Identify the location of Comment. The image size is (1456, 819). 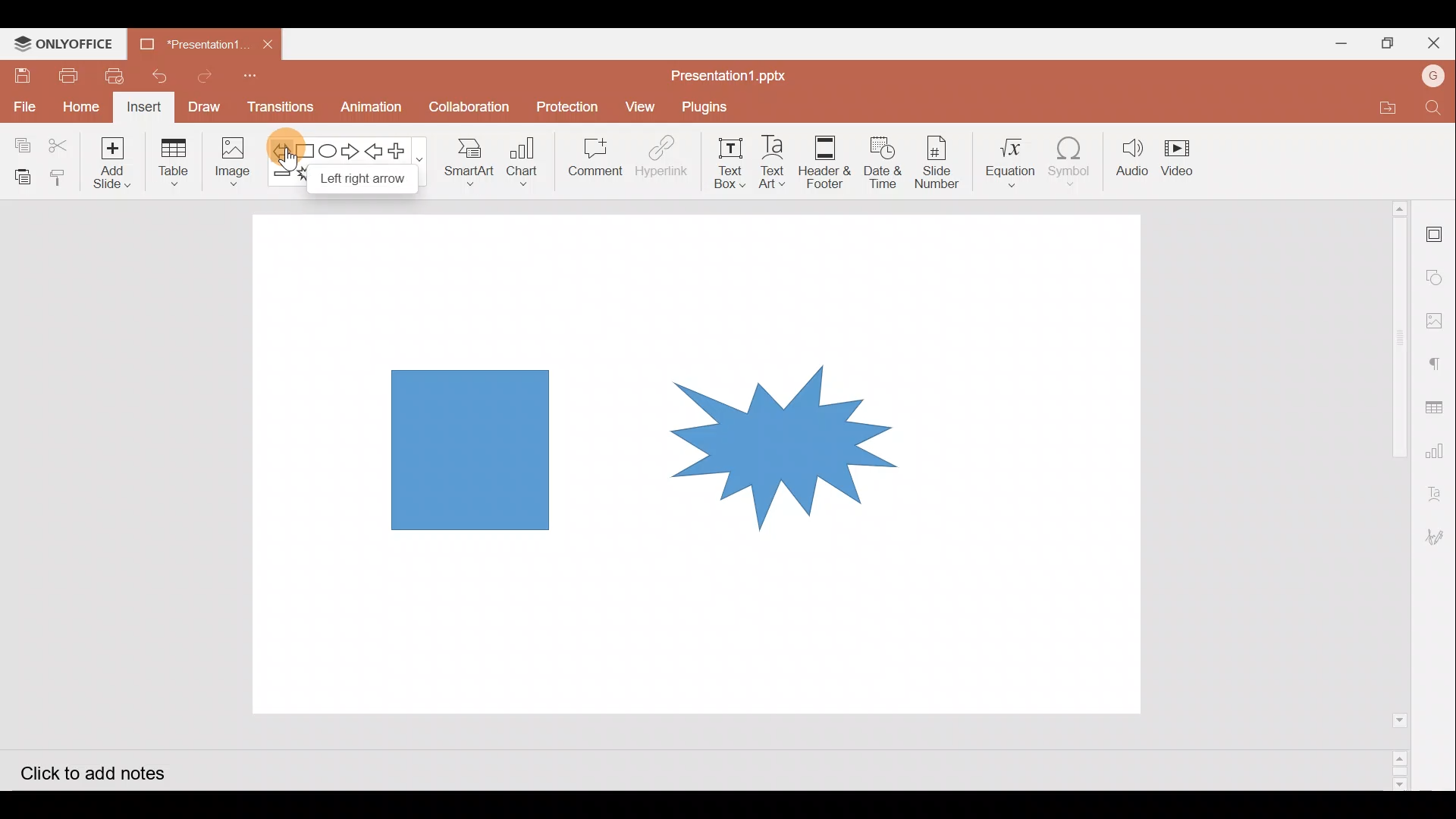
(596, 160).